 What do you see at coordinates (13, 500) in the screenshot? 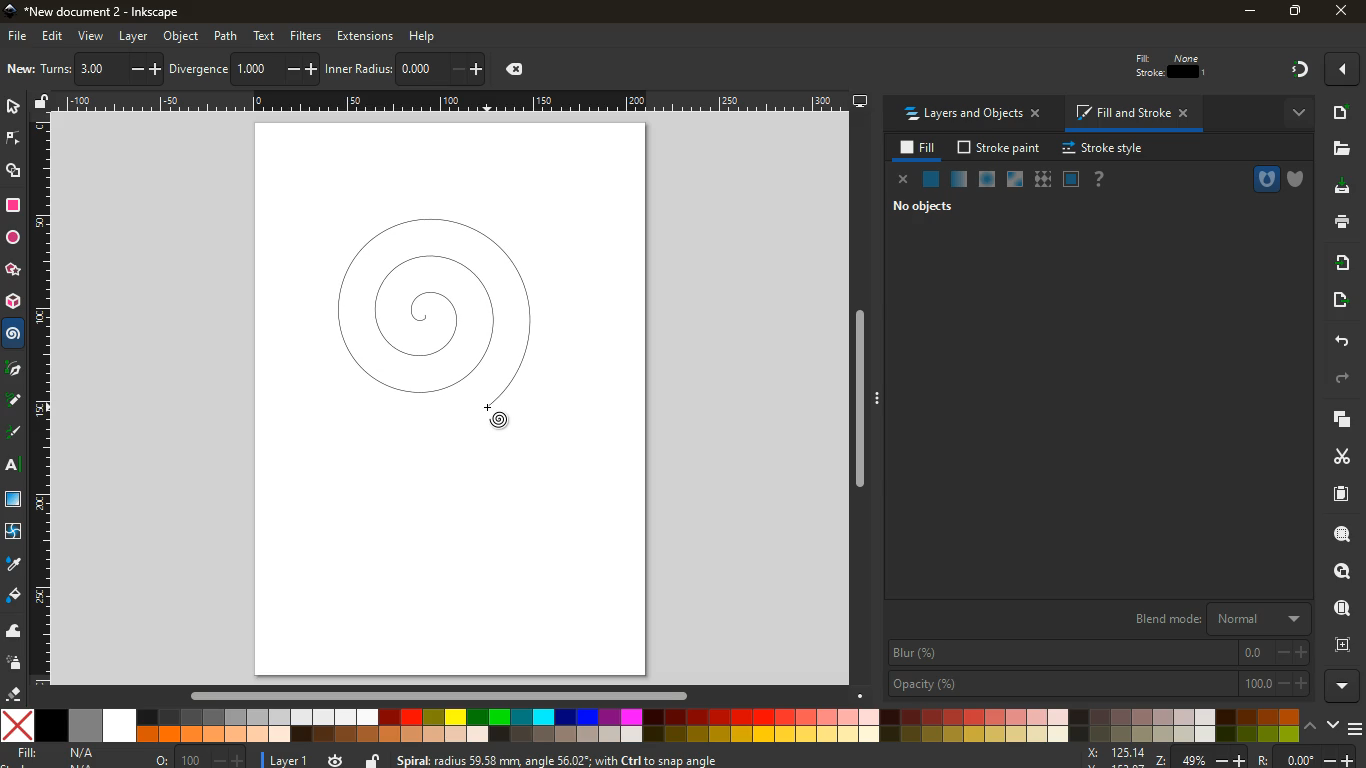
I see `glass` at bounding box center [13, 500].